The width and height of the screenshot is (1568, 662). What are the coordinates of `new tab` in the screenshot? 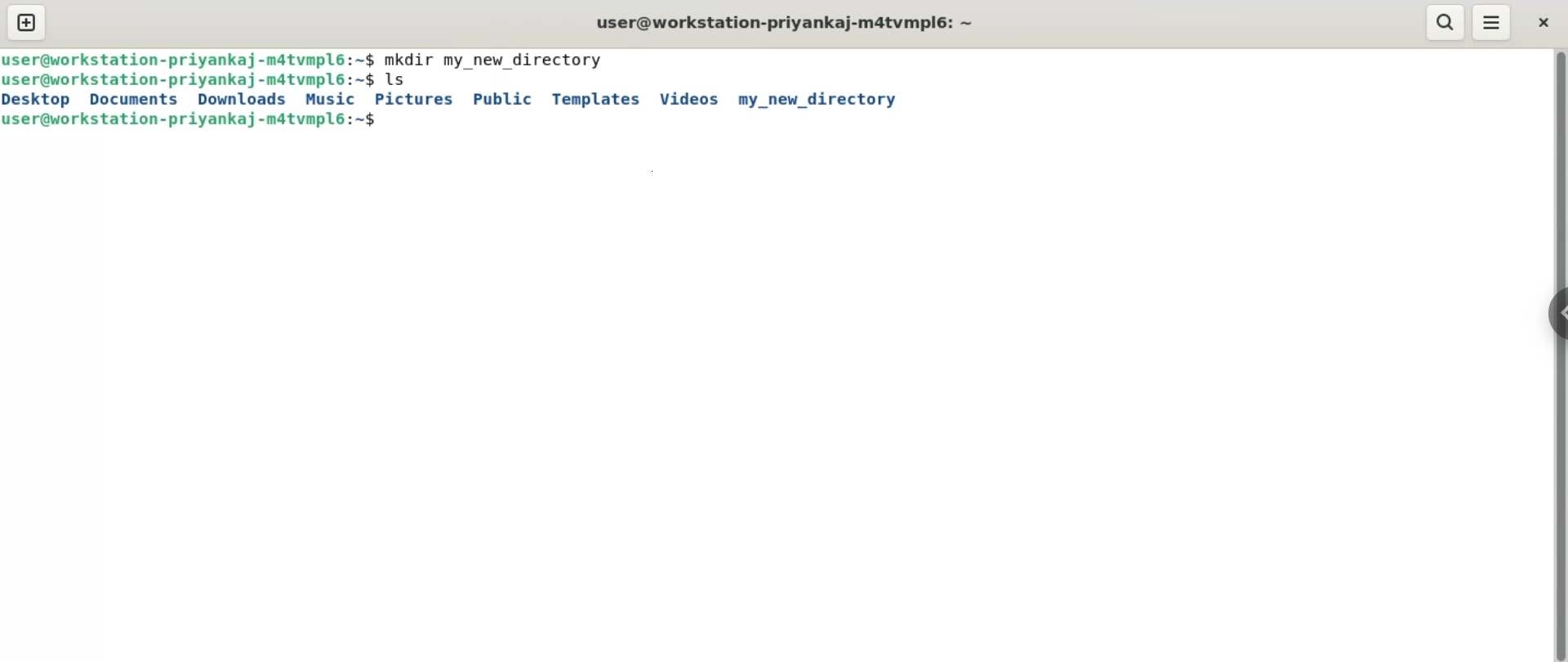 It's located at (25, 25).